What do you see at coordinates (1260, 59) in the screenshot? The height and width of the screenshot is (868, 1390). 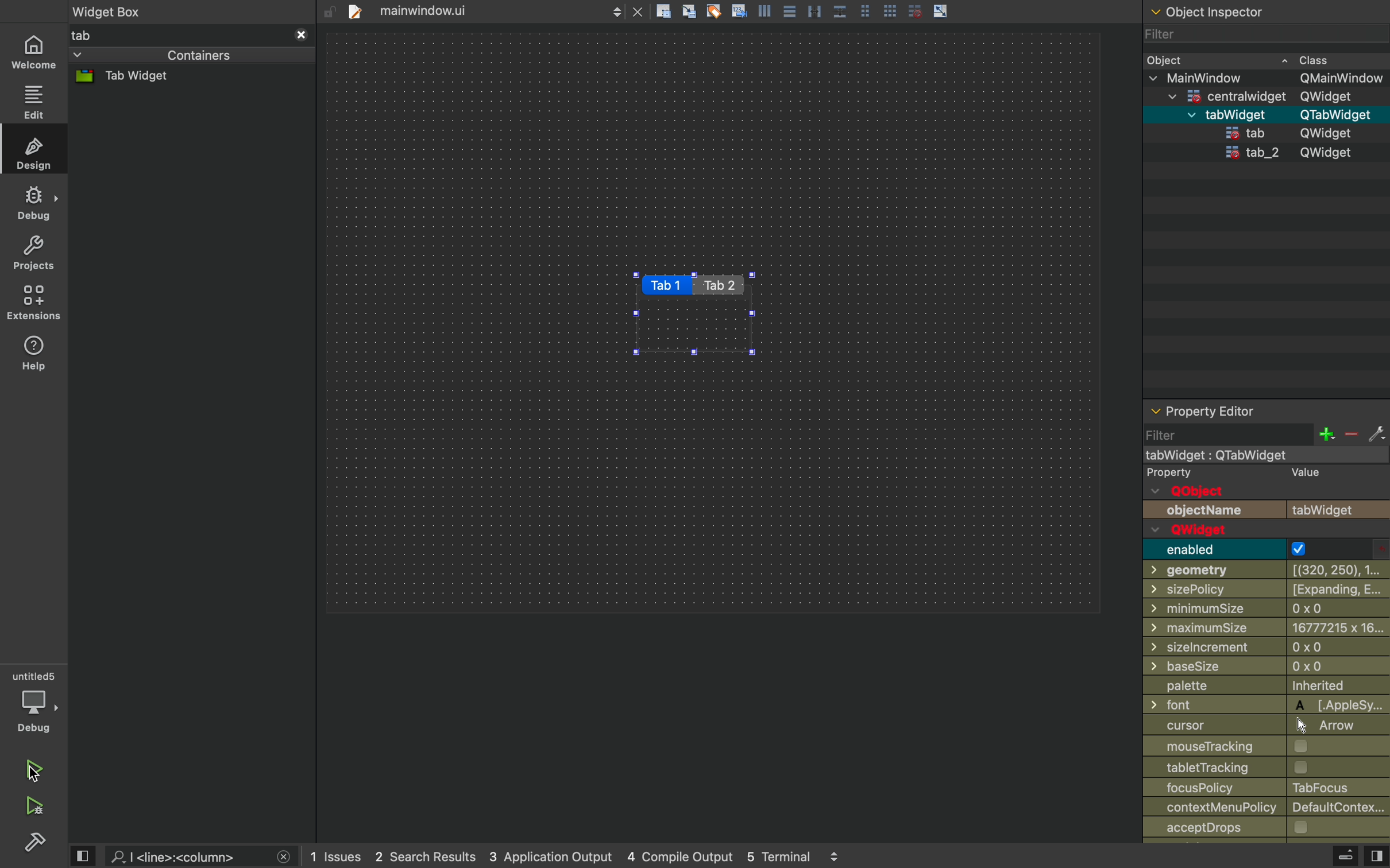 I see `object class` at bounding box center [1260, 59].